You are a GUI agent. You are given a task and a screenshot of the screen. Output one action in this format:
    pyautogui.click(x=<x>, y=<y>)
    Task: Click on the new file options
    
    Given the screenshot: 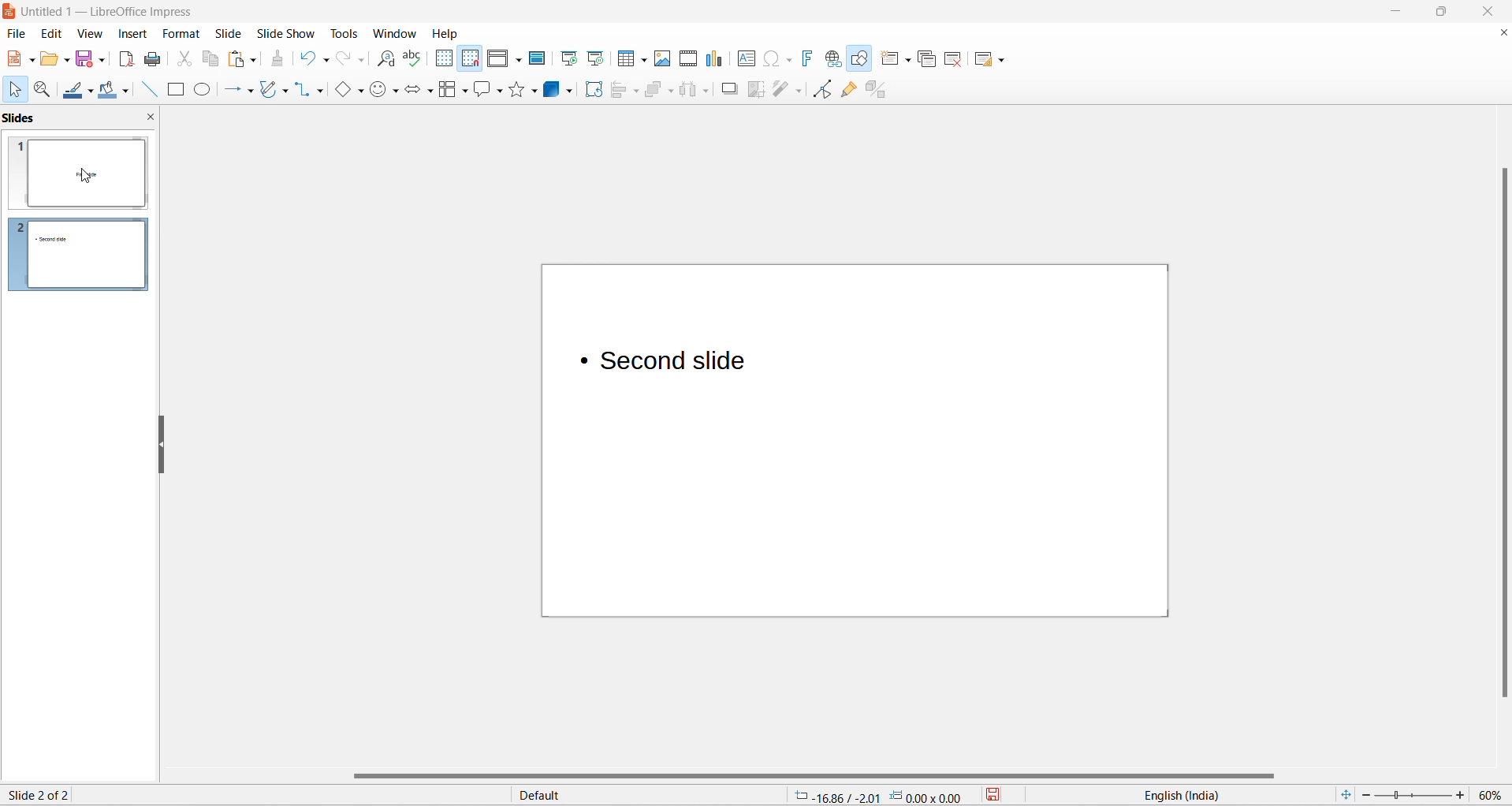 What is the action you would take?
    pyautogui.click(x=31, y=61)
    